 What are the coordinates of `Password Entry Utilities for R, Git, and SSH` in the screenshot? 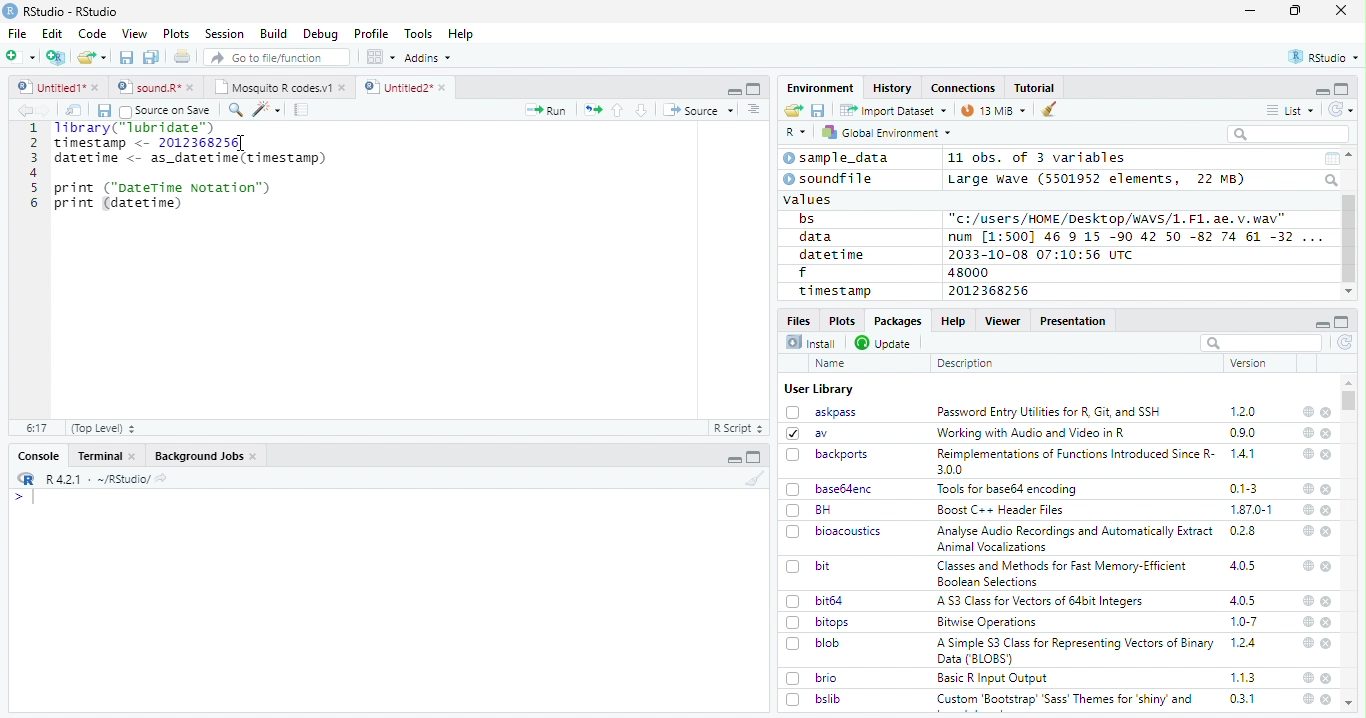 It's located at (1049, 412).